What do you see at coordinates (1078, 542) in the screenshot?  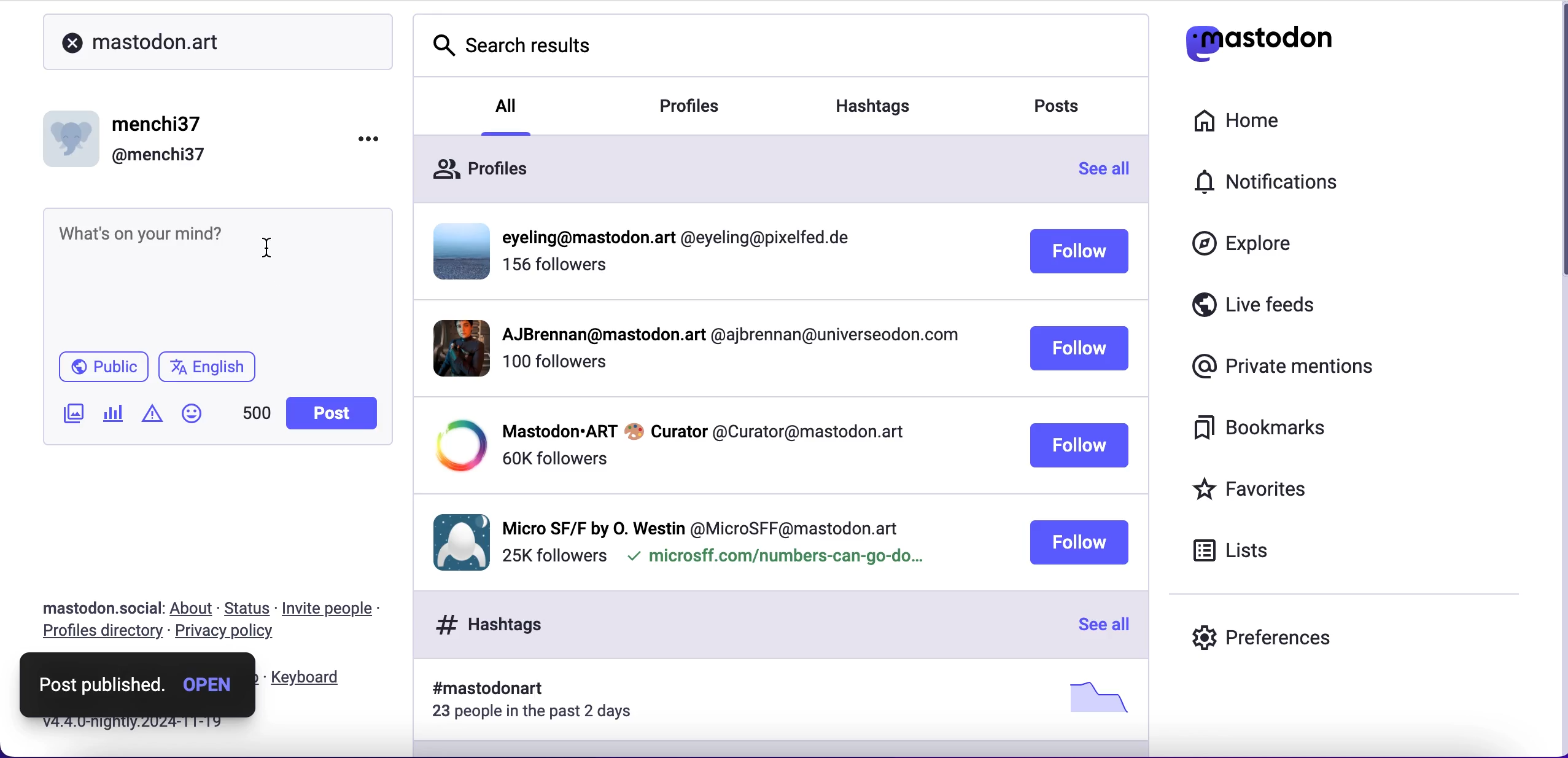 I see `follow` at bounding box center [1078, 542].